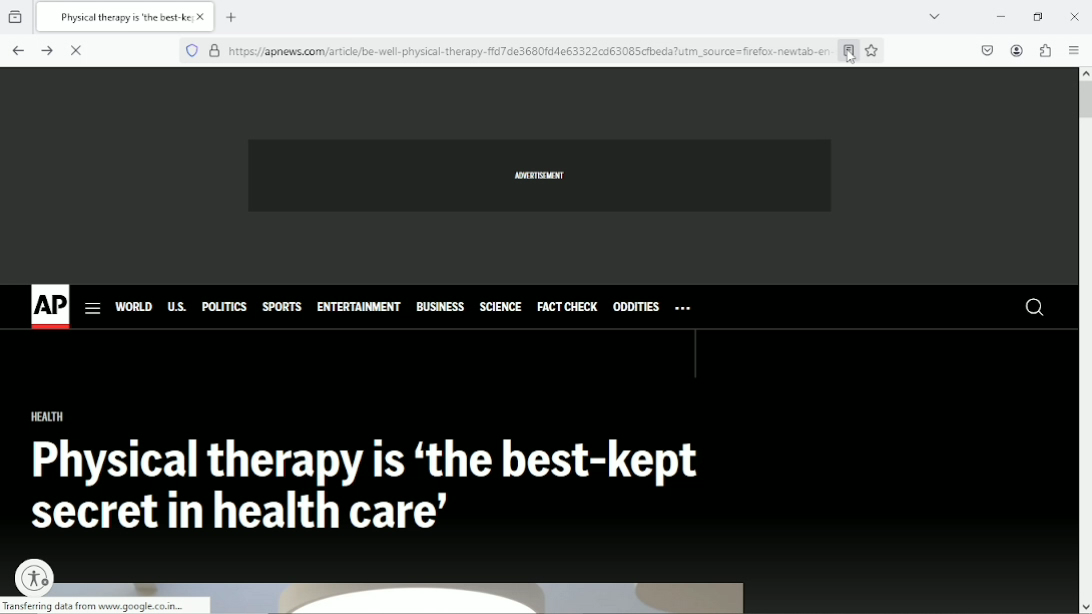 The width and height of the screenshot is (1092, 614). I want to click on BUSINESS, so click(441, 307).